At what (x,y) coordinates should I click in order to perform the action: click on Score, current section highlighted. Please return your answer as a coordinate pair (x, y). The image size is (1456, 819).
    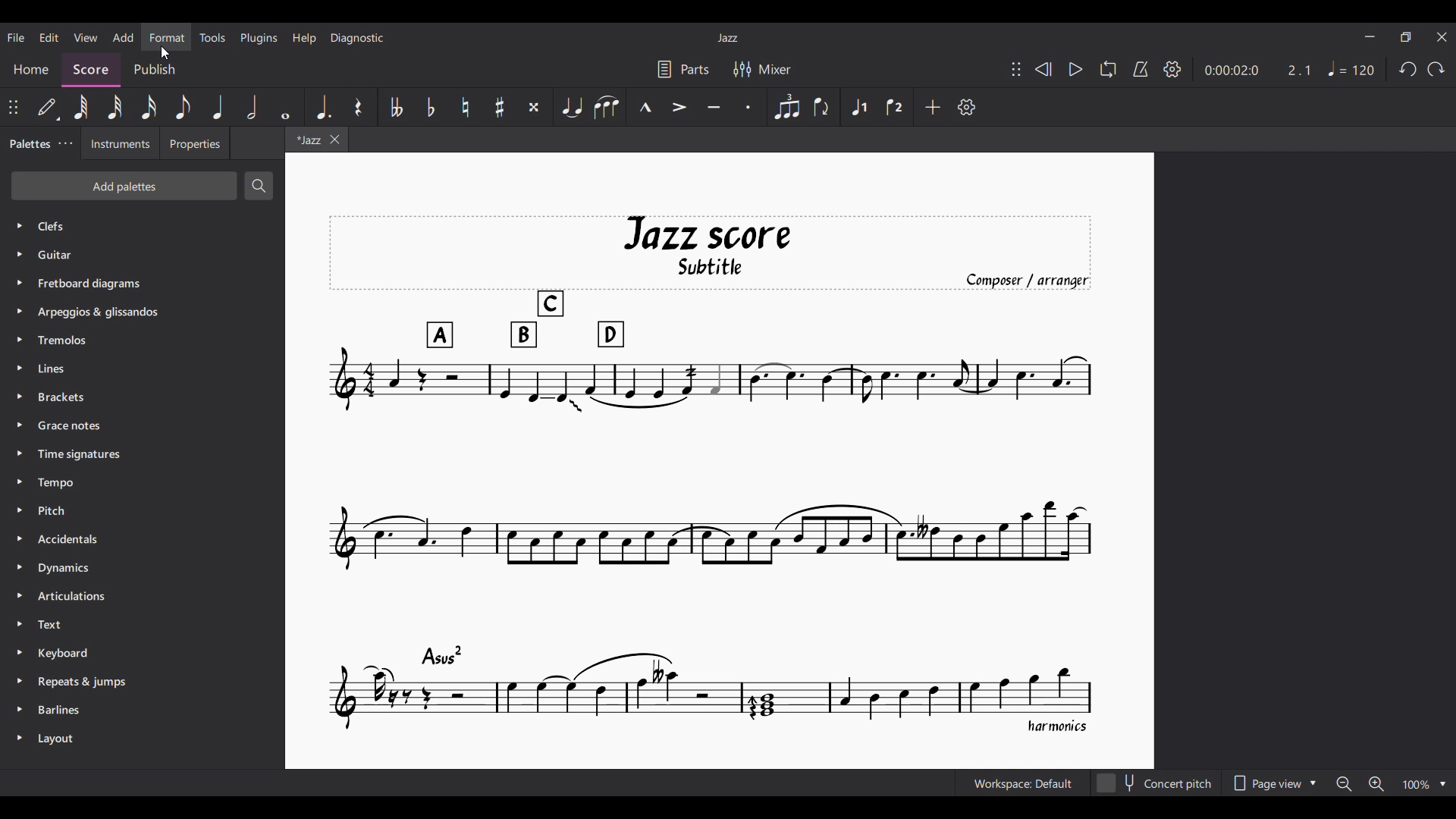
    Looking at the image, I should click on (91, 67).